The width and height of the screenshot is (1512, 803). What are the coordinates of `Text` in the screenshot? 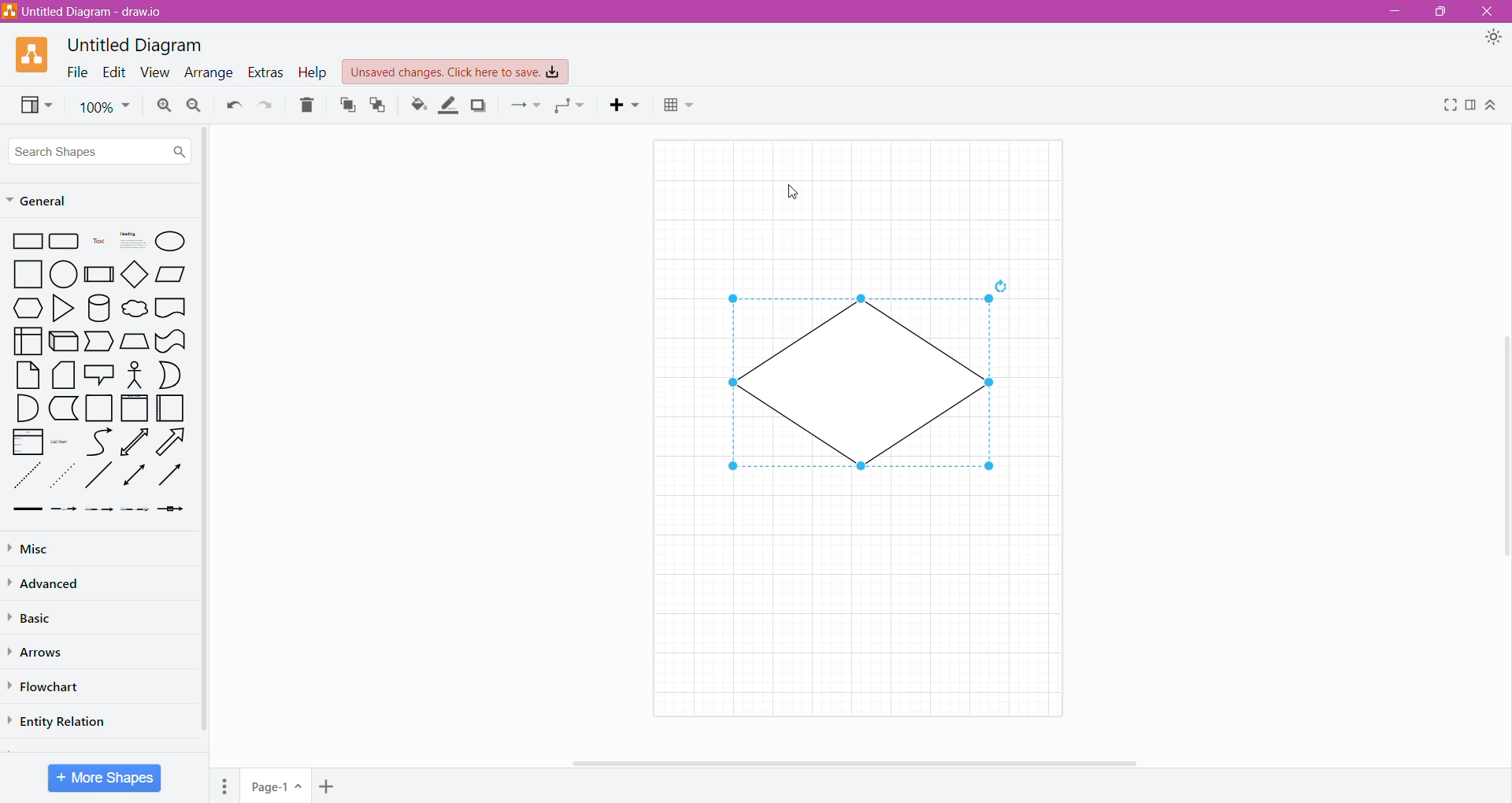 It's located at (98, 242).